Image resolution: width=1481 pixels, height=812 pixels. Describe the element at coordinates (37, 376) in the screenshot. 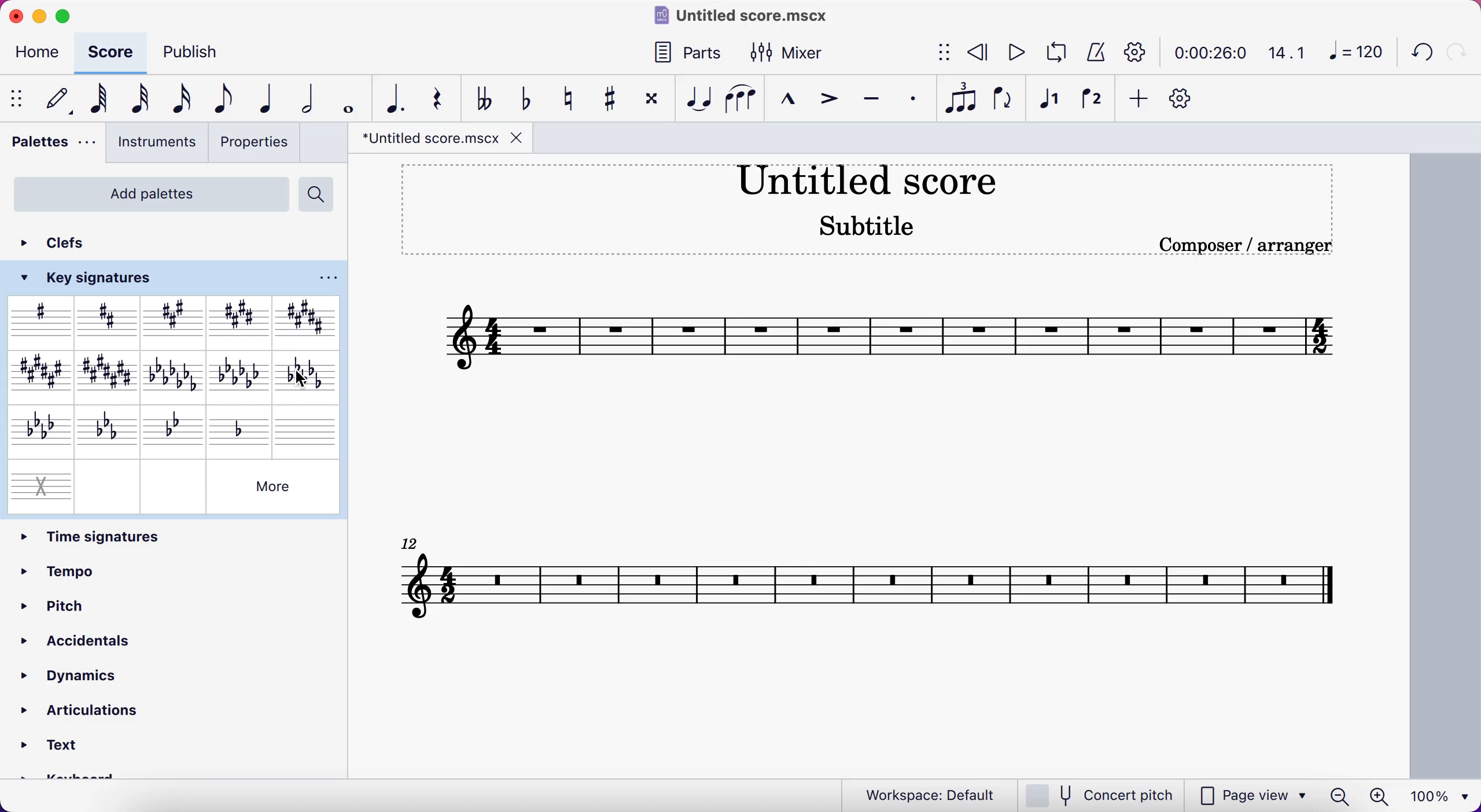

I see `F major` at that location.